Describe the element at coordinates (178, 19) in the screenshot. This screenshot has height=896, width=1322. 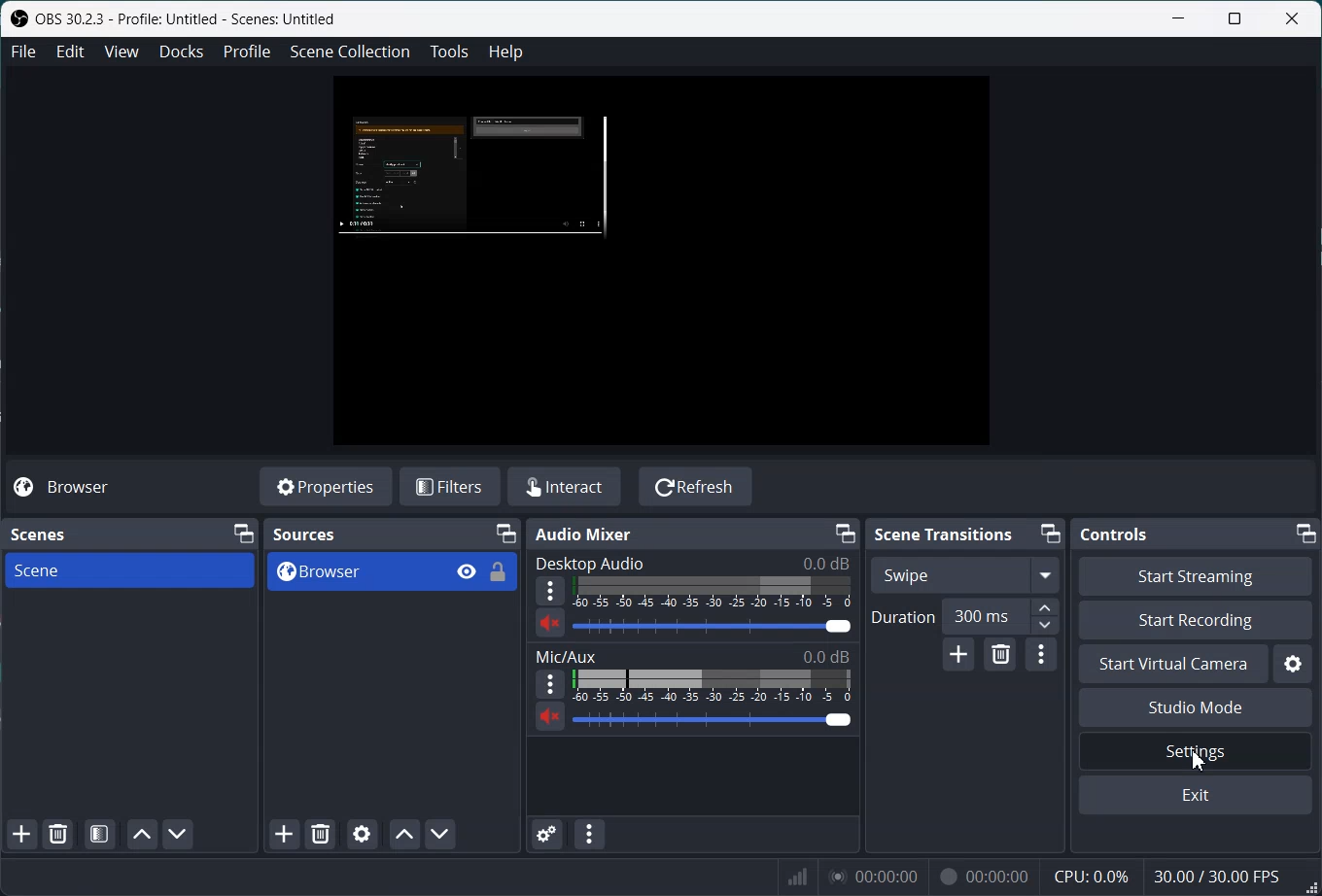
I see `OBS 30.2.3 - Profile: Untitled - Scenes: Untitled` at that location.